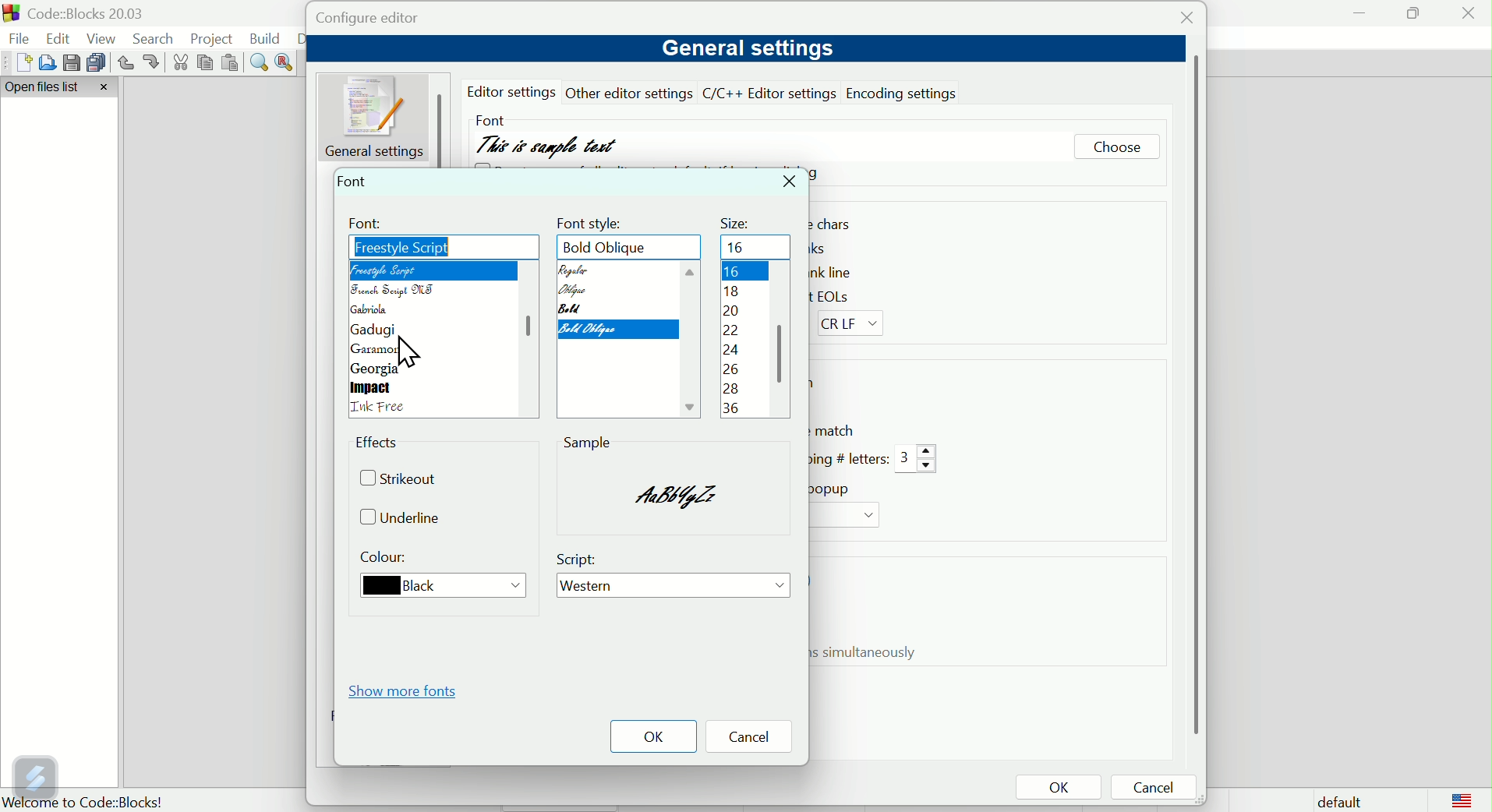 The image size is (1492, 812). I want to click on scroll bar, so click(782, 354).